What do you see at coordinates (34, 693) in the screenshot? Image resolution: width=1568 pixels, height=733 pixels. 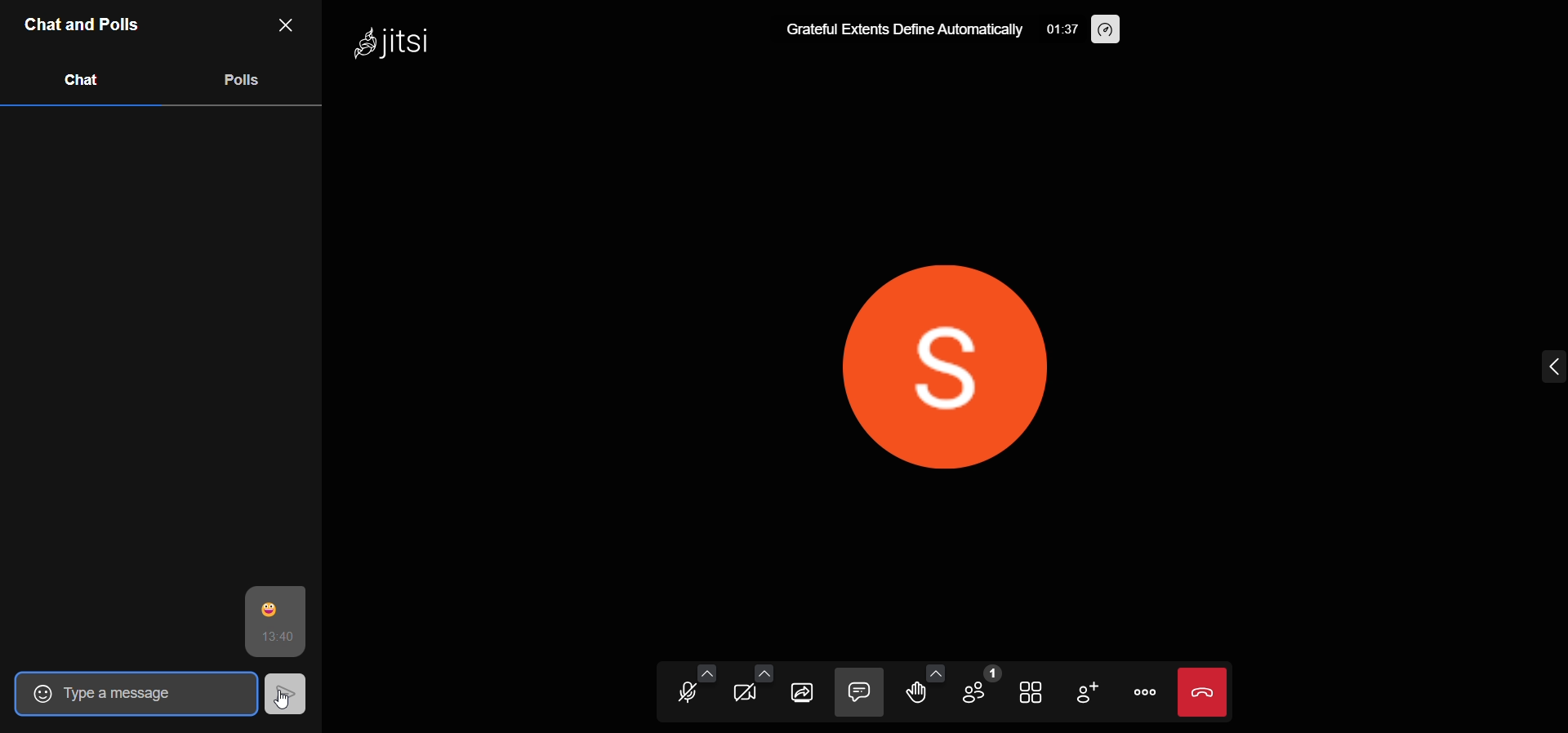 I see `emojis` at bounding box center [34, 693].